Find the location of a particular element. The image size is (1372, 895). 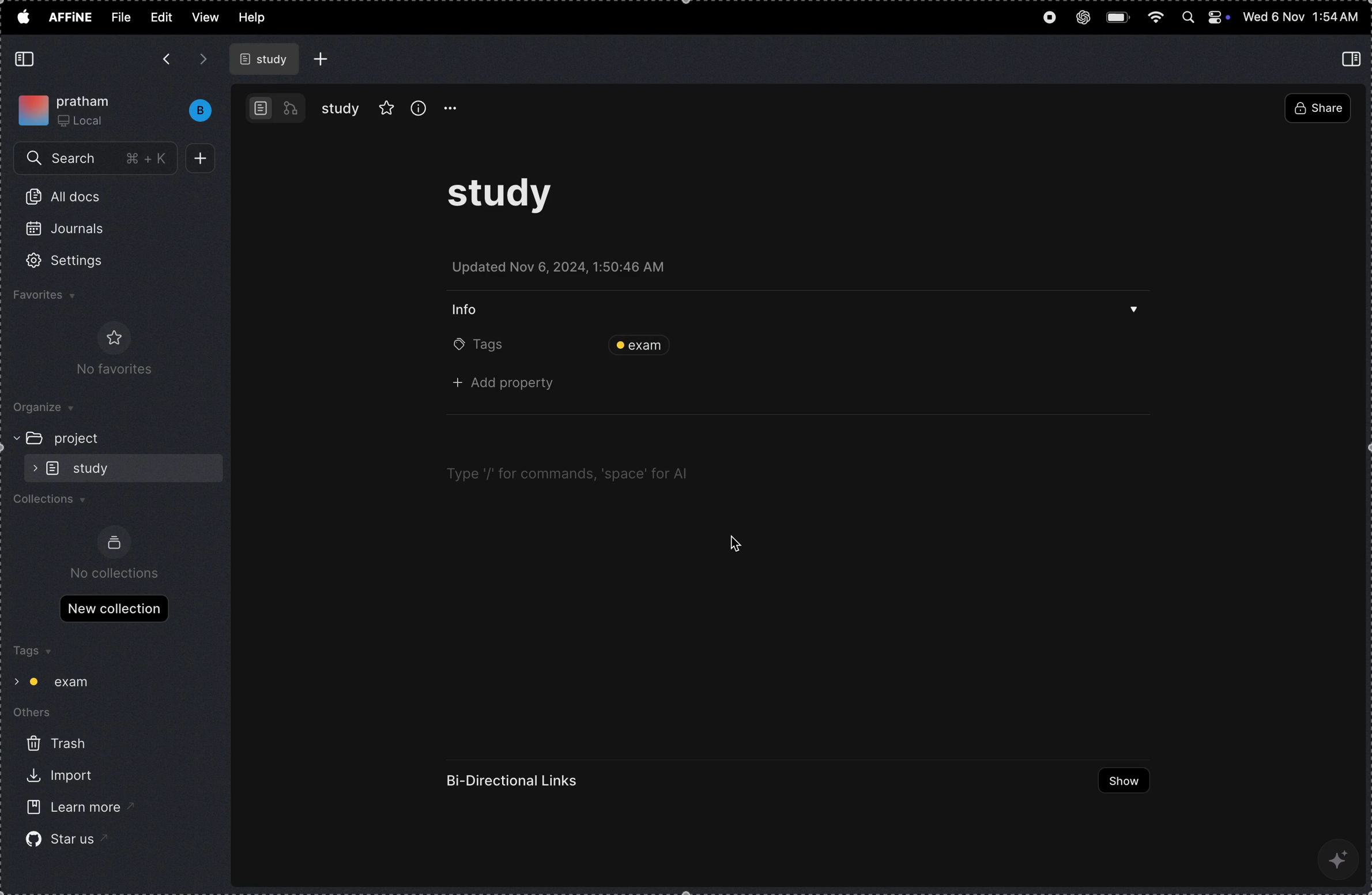

edit is located at coordinates (160, 16).